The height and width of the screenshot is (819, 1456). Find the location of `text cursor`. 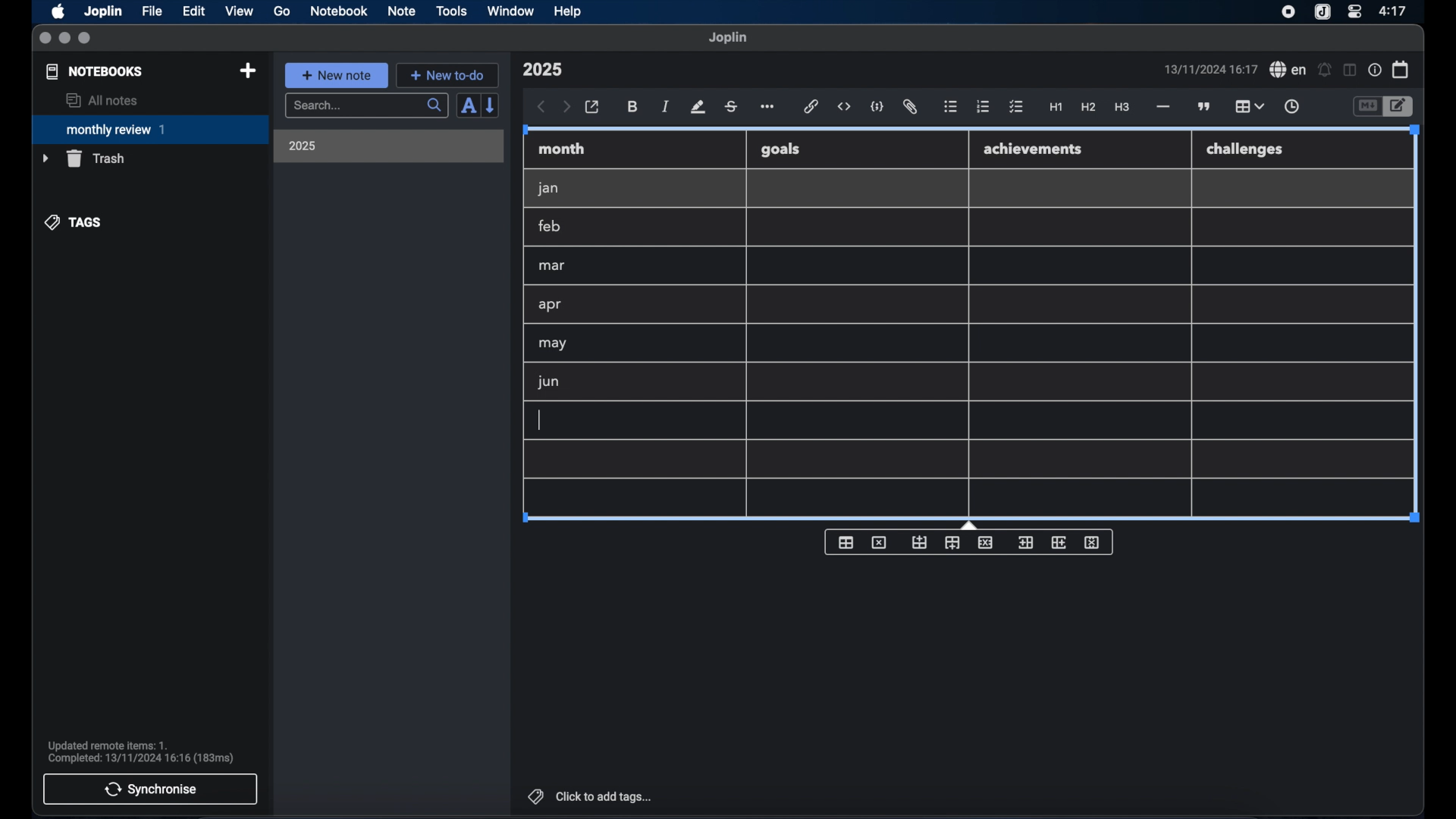

text cursor is located at coordinates (539, 420).